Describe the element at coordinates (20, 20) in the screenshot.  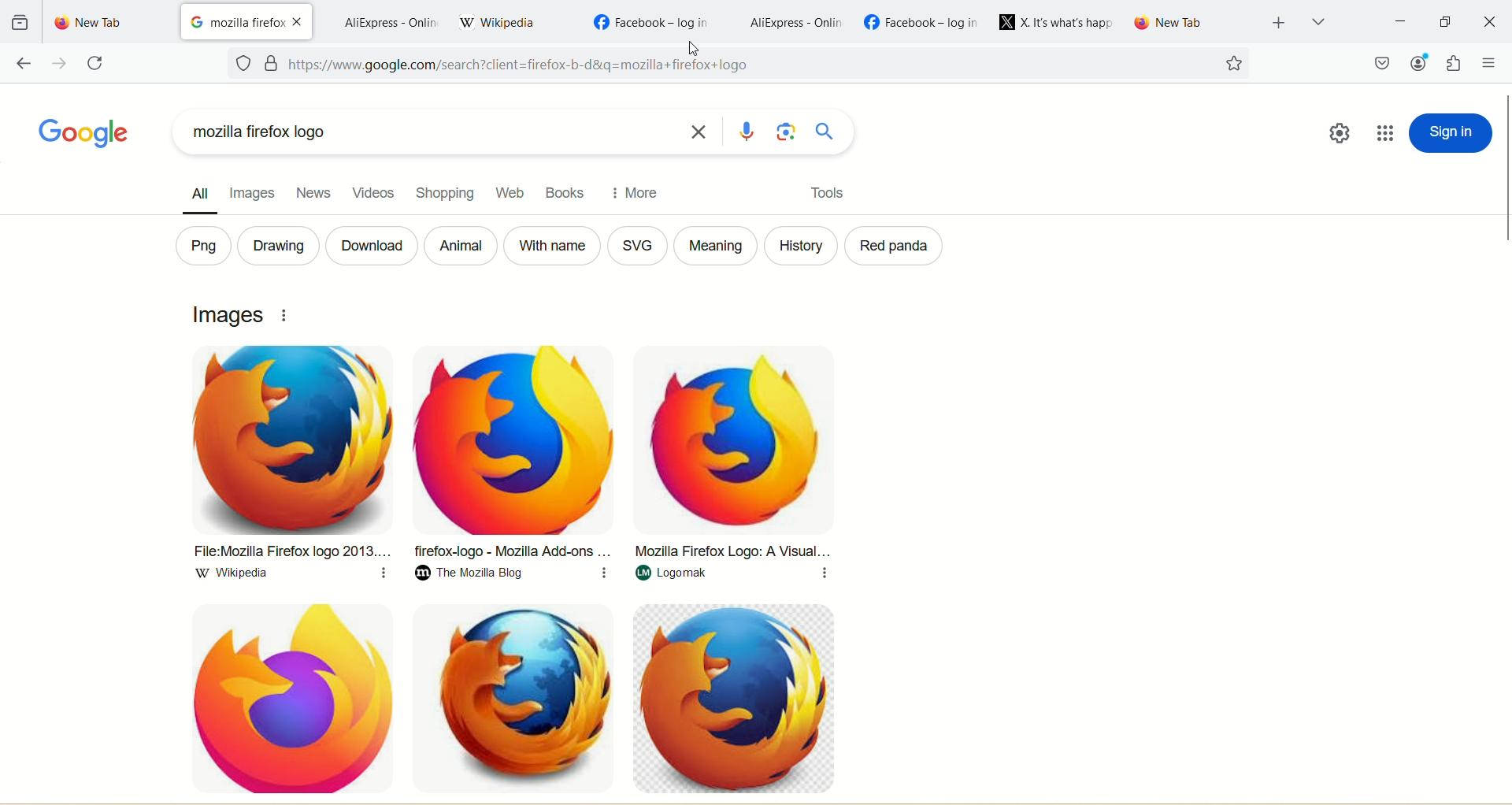
I see `view recent browsing across windows and devices` at that location.